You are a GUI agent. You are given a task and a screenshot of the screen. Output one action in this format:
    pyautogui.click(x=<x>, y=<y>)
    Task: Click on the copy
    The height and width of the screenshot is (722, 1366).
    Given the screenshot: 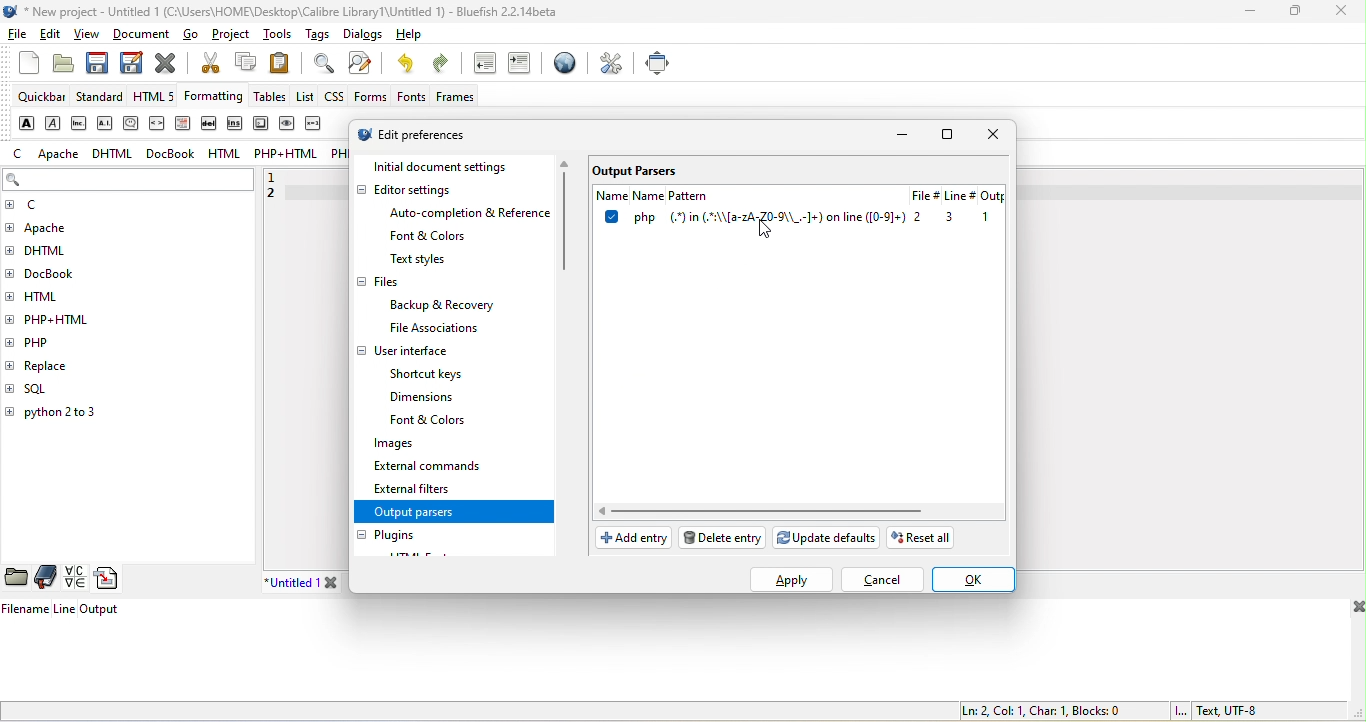 What is the action you would take?
    pyautogui.click(x=245, y=64)
    